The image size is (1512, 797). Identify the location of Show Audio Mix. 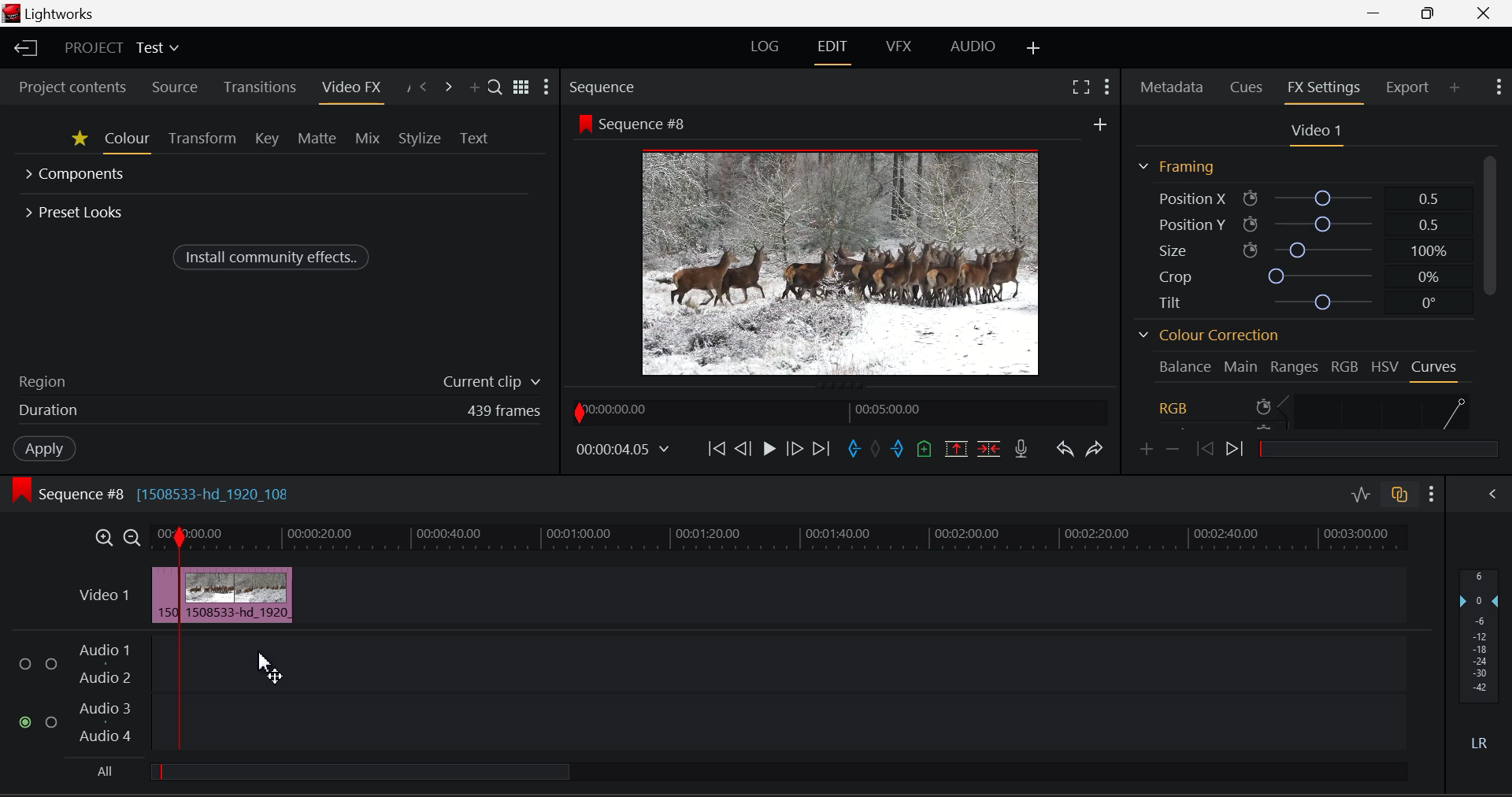
(1492, 496).